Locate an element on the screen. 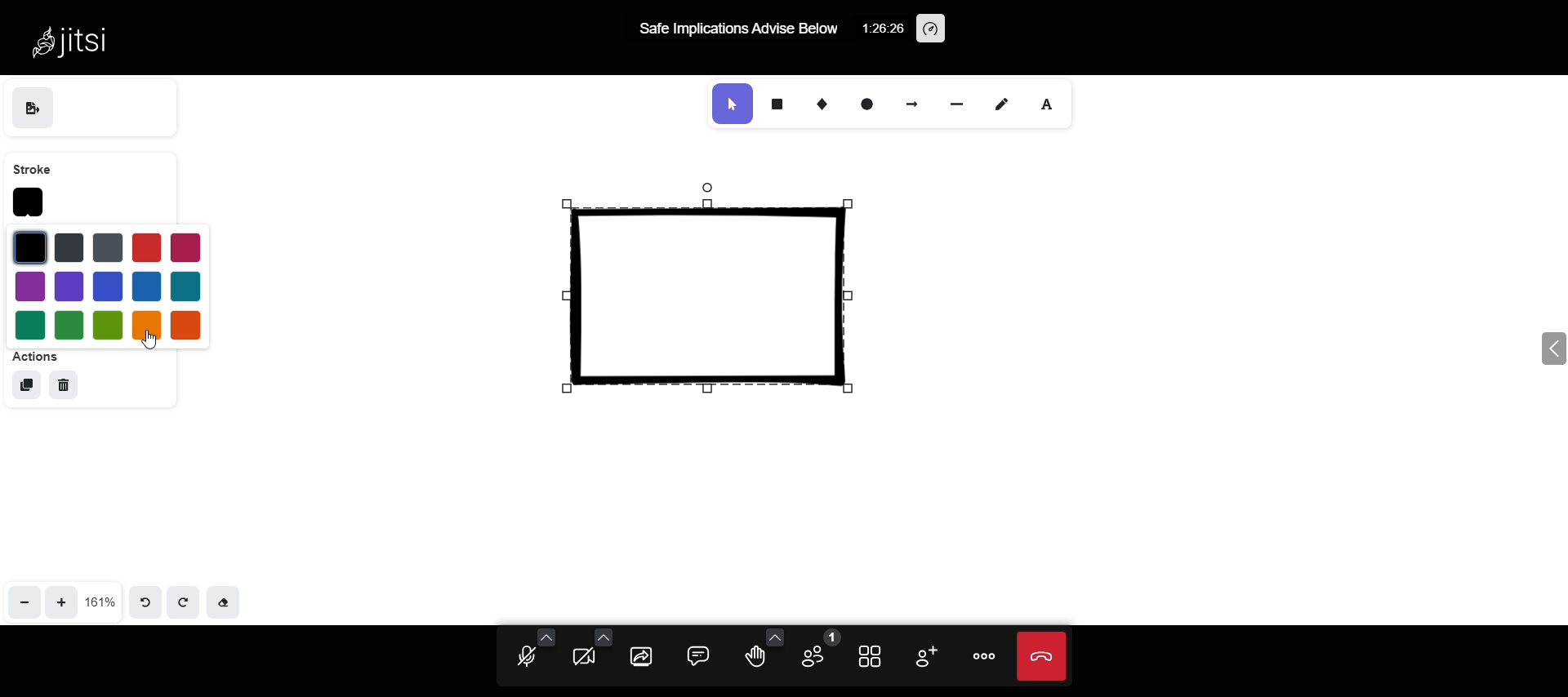  comment box is located at coordinates (700, 652).